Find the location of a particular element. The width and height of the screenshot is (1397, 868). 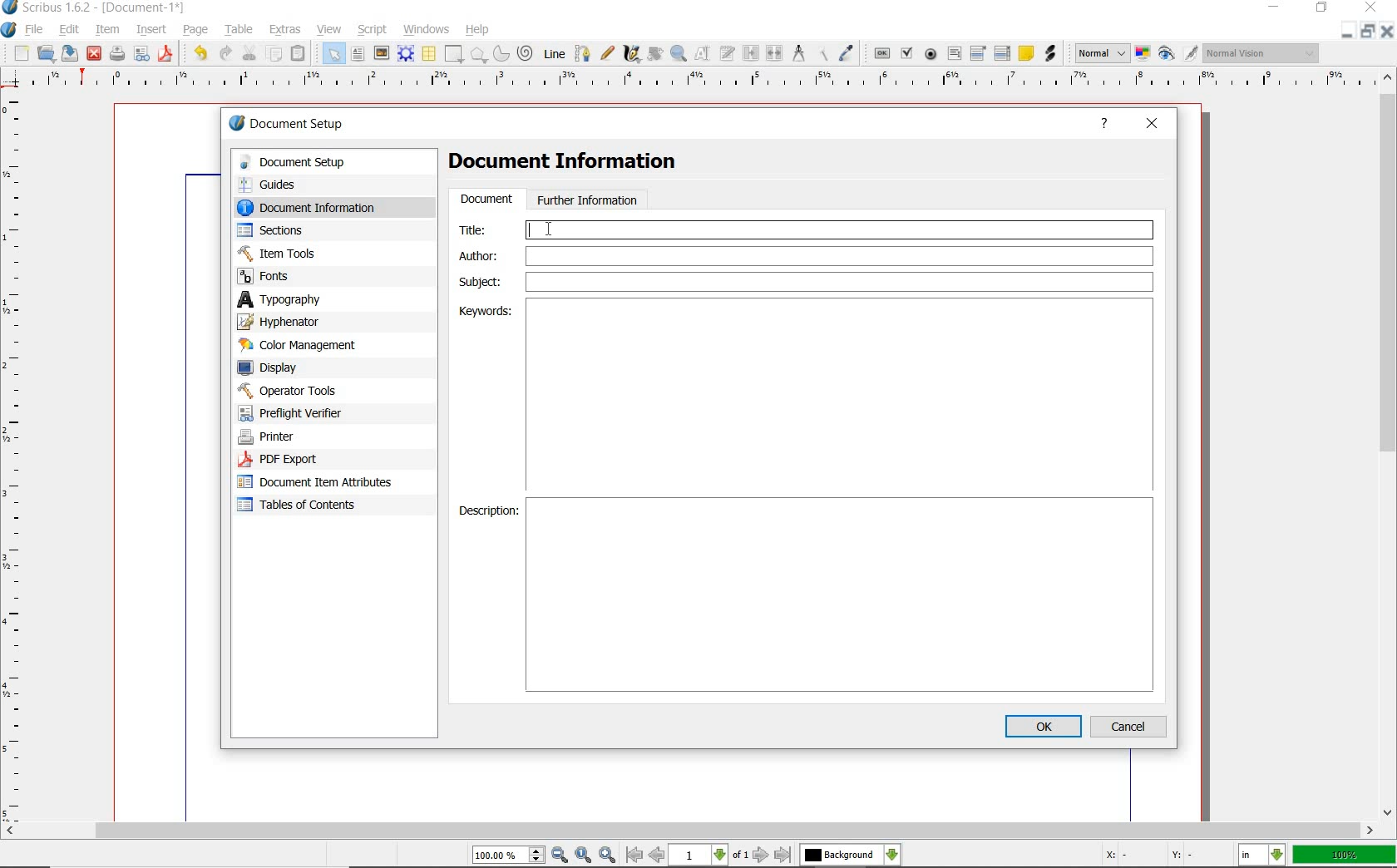

further information is located at coordinates (589, 199).